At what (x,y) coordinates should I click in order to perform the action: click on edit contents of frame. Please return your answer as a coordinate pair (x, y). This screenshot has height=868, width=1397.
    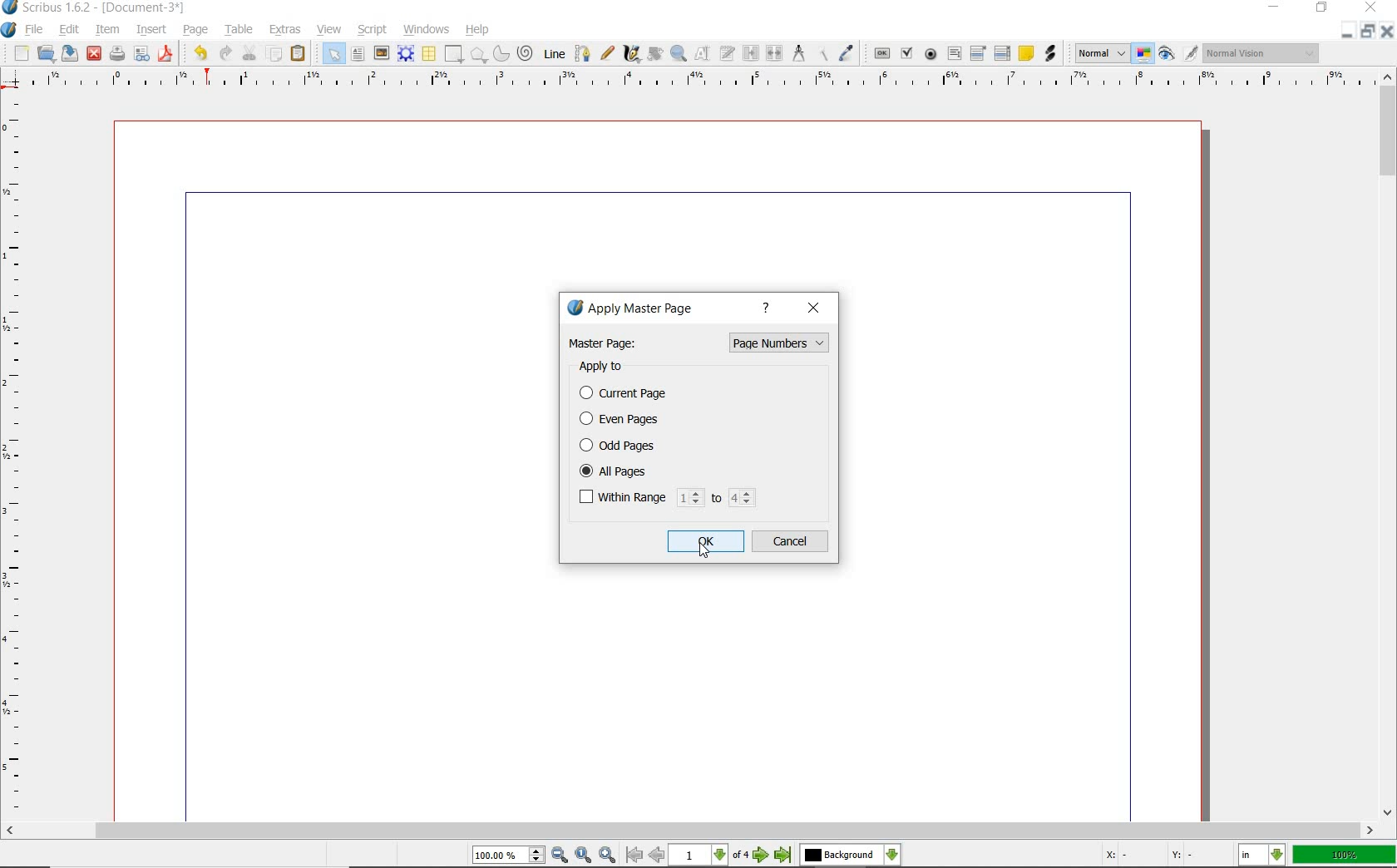
    Looking at the image, I should click on (700, 54).